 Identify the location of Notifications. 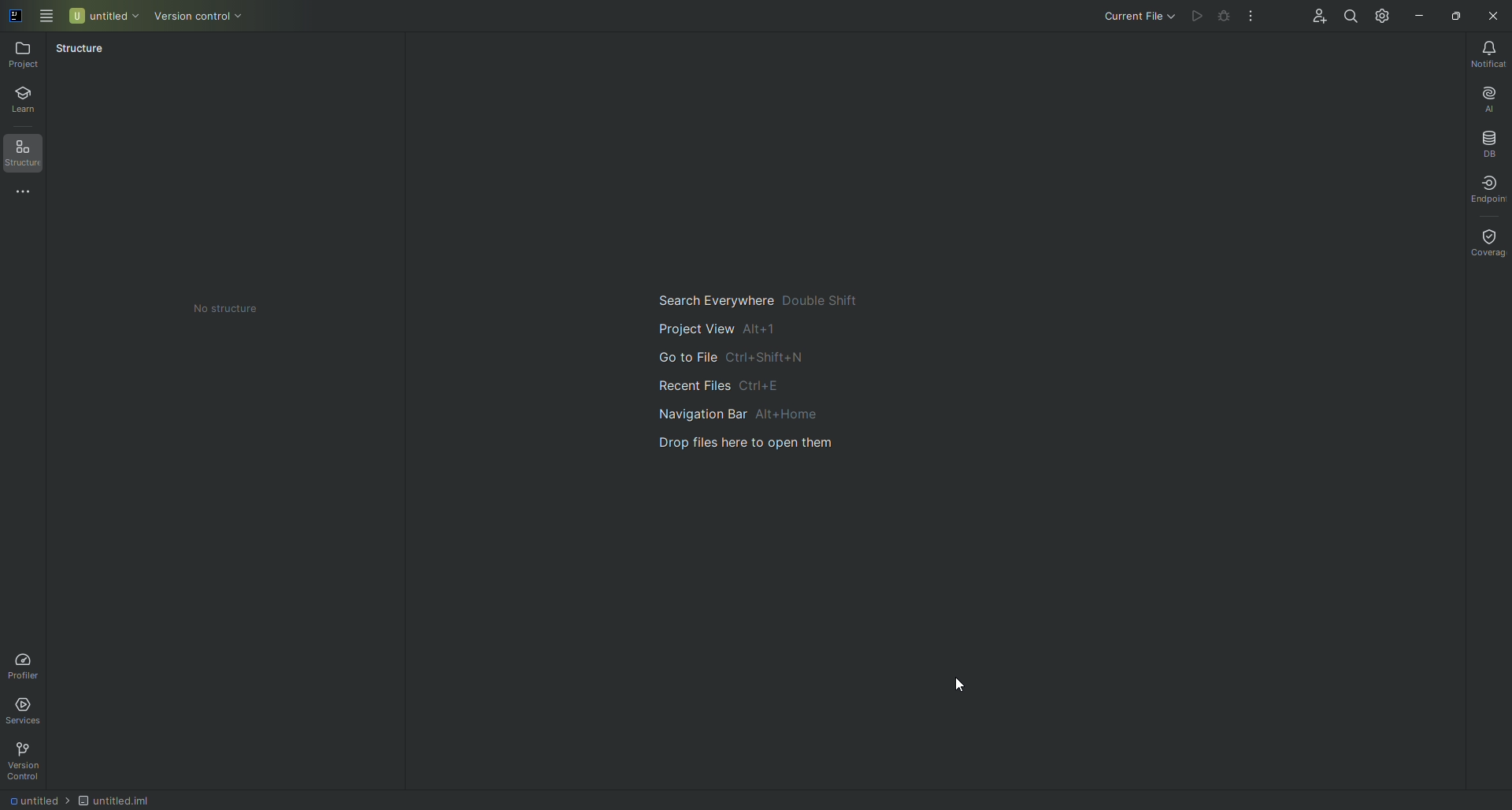
(1488, 55).